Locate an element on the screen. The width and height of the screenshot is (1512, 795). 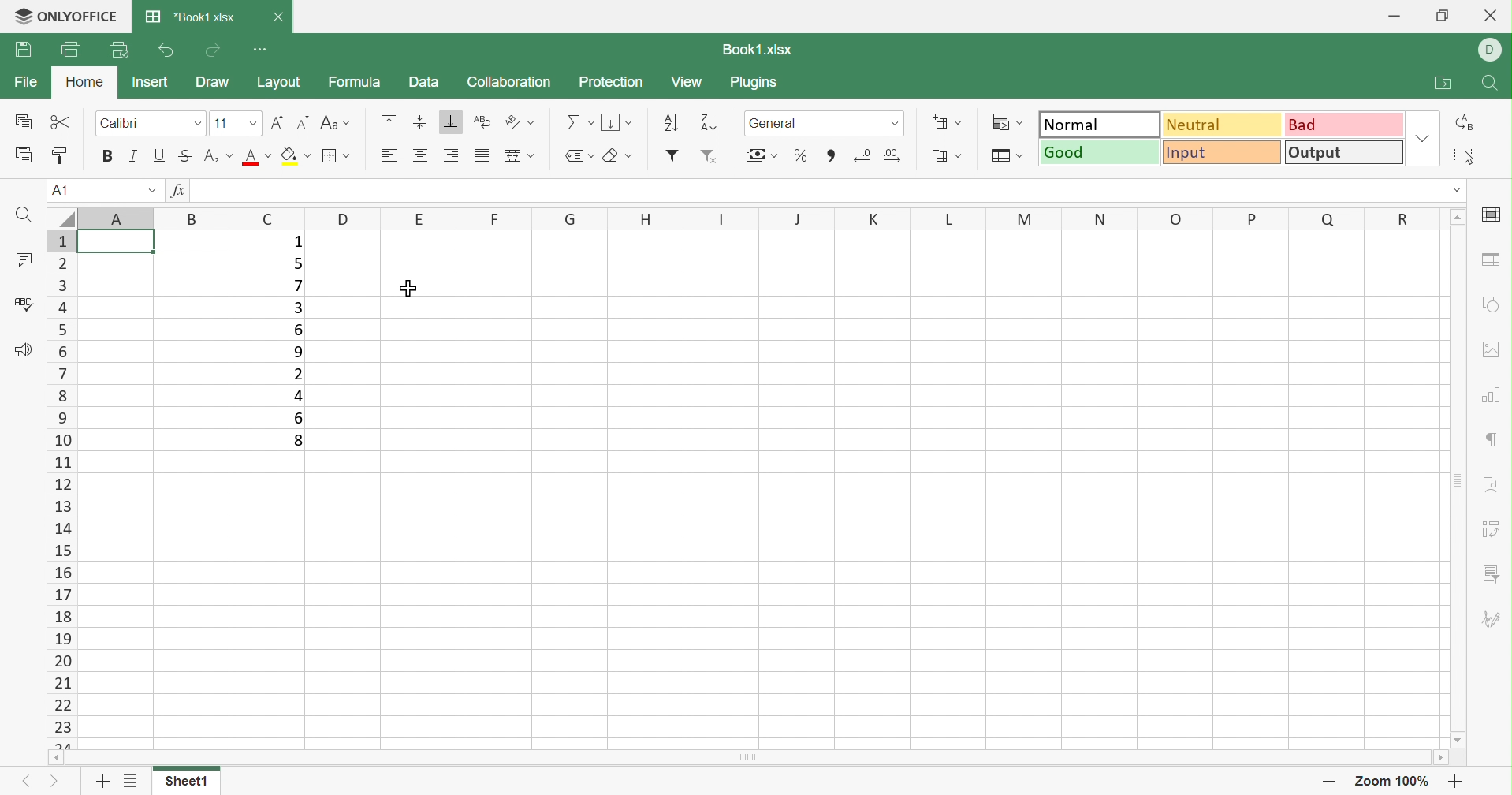
Normal is located at coordinates (1100, 124).